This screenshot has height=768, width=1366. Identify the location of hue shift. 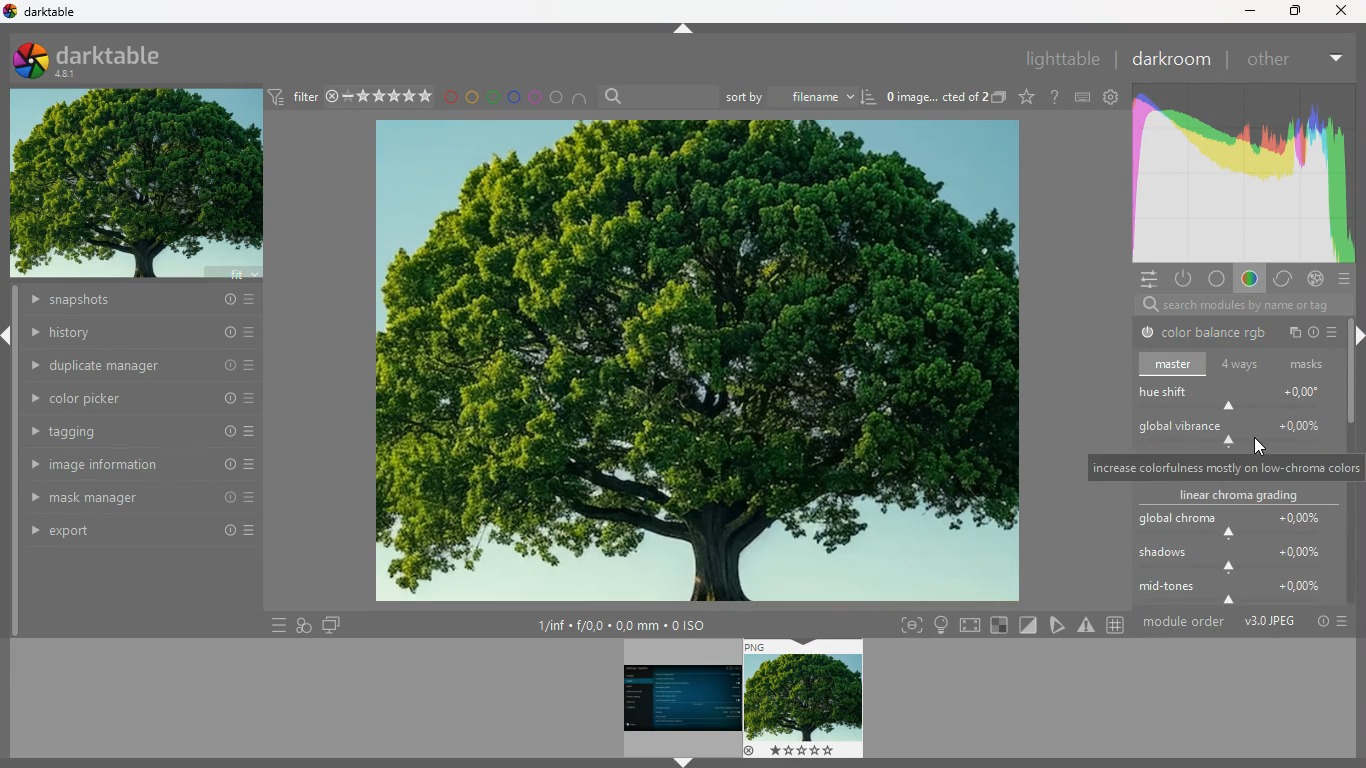
(1239, 398).